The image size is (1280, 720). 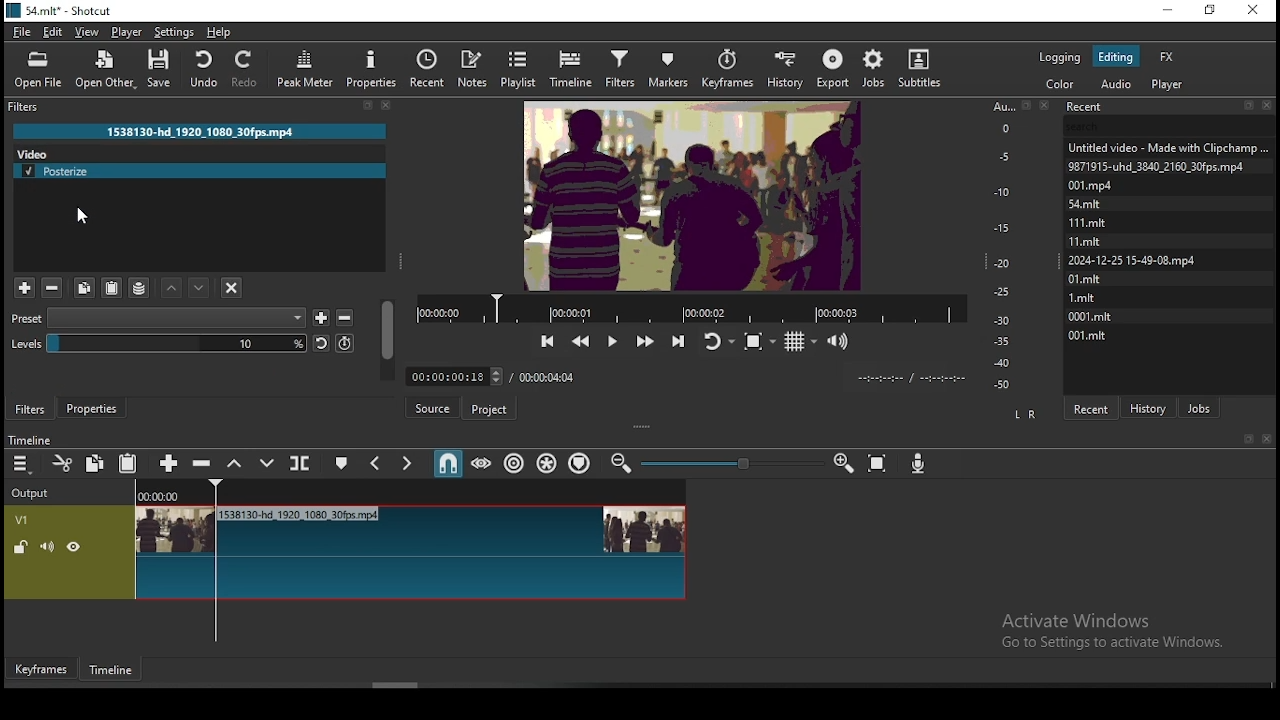 I want to click on save, so click(x=163, y=69).